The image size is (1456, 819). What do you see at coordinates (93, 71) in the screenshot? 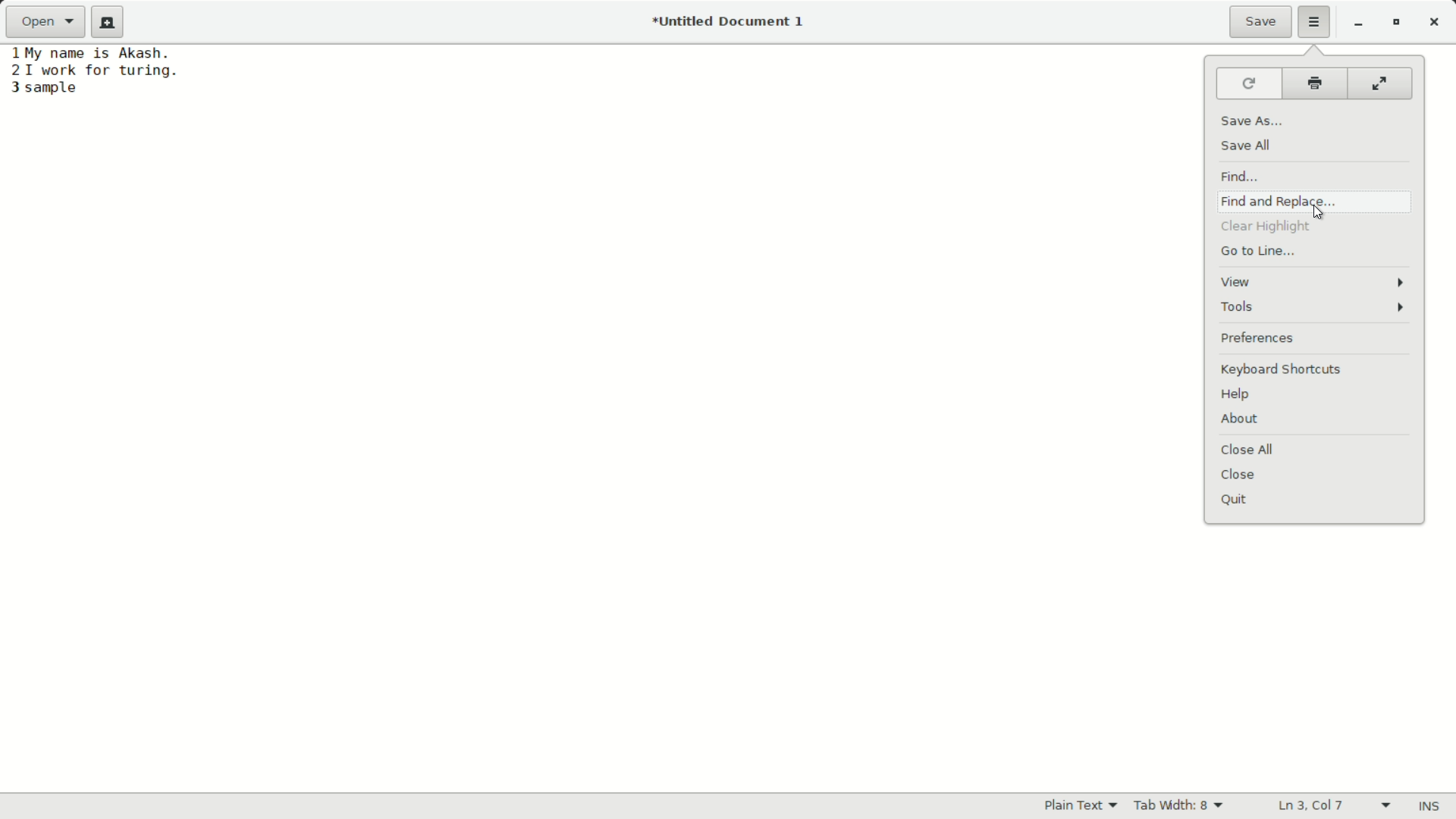
I see `21 work for turing.` at bounding box center [93, 71].